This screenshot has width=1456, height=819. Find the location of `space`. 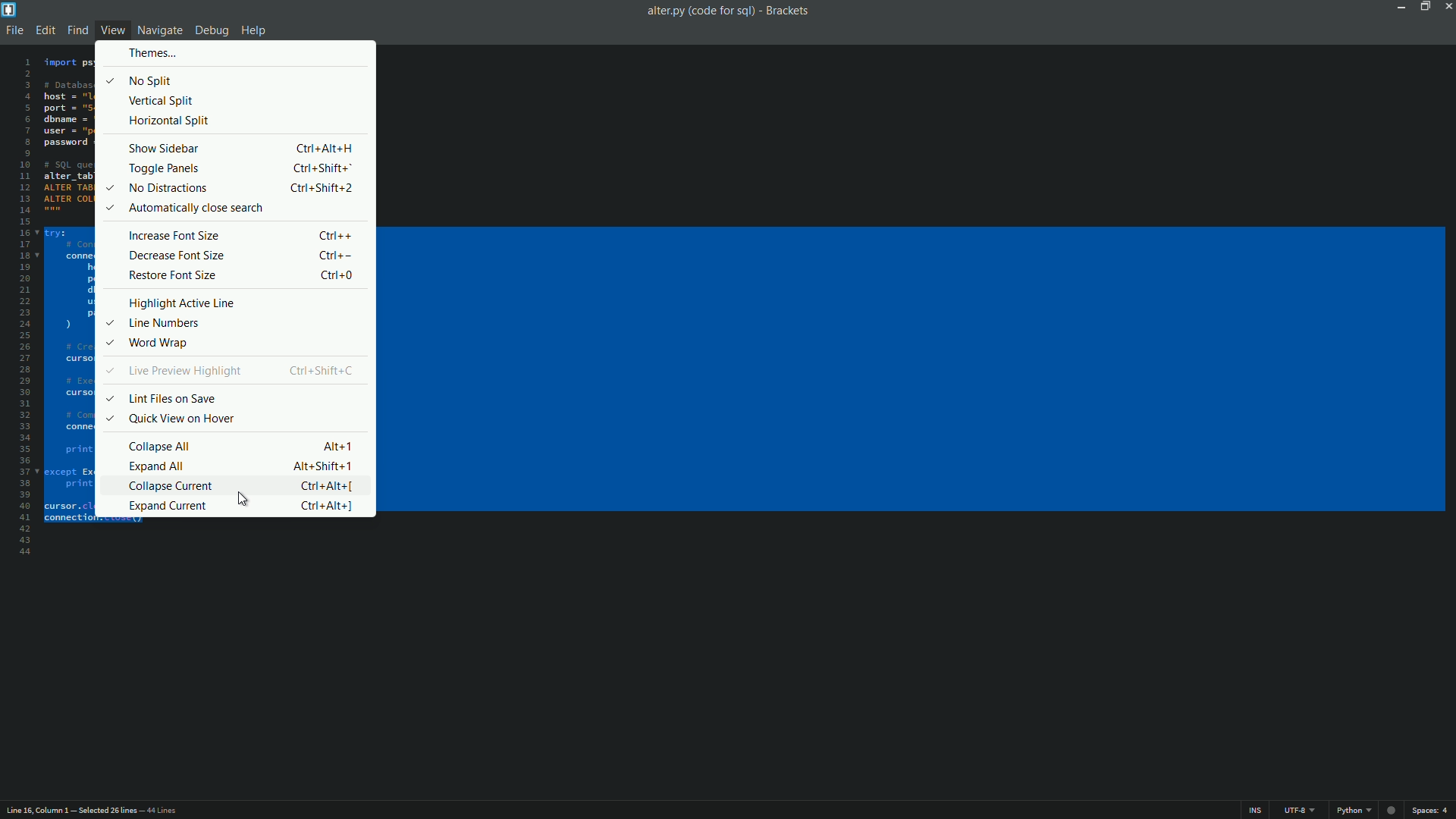

space is located at coordinates (1433, 811).